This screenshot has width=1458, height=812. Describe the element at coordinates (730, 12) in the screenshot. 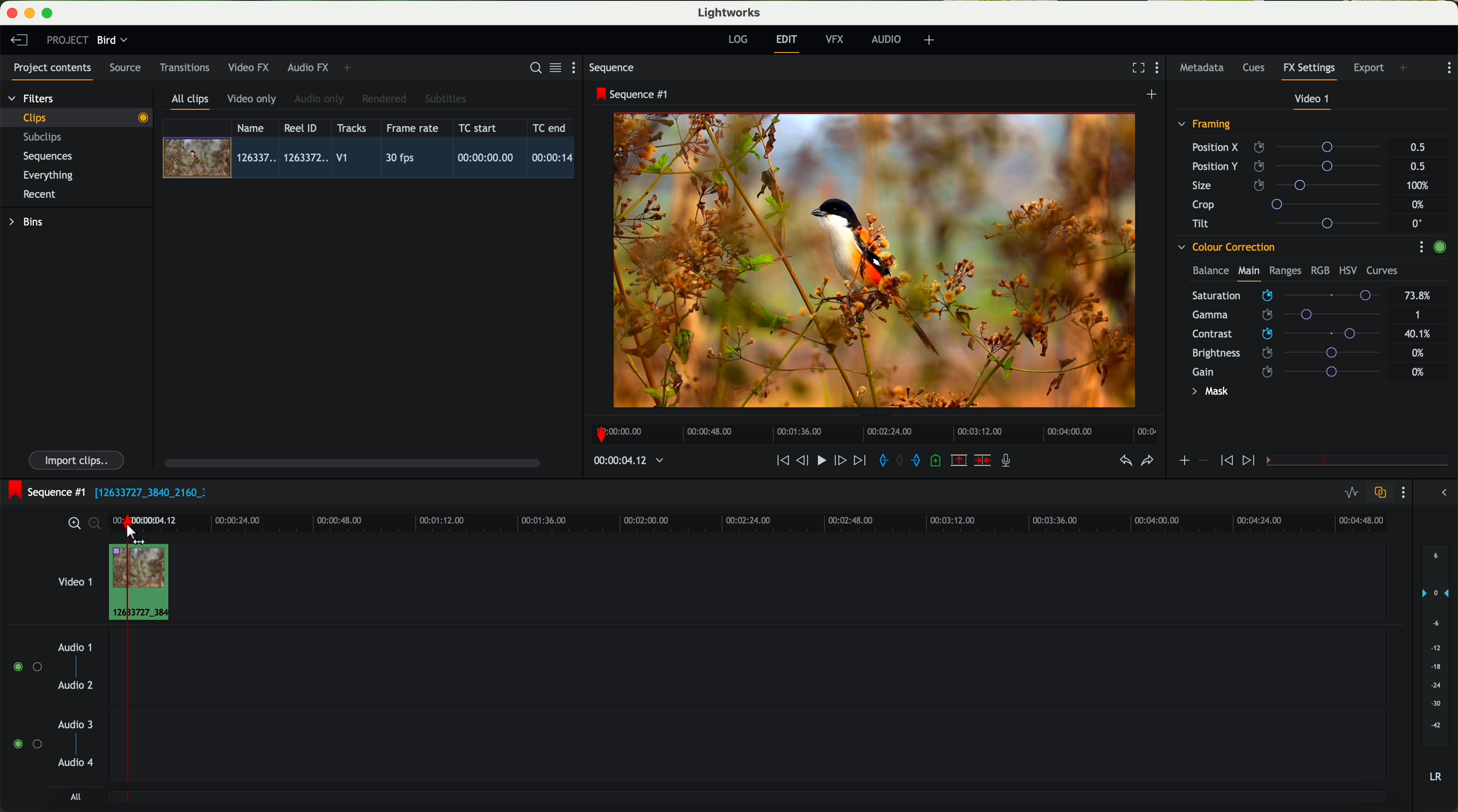

I see `Lightworks` at that location.